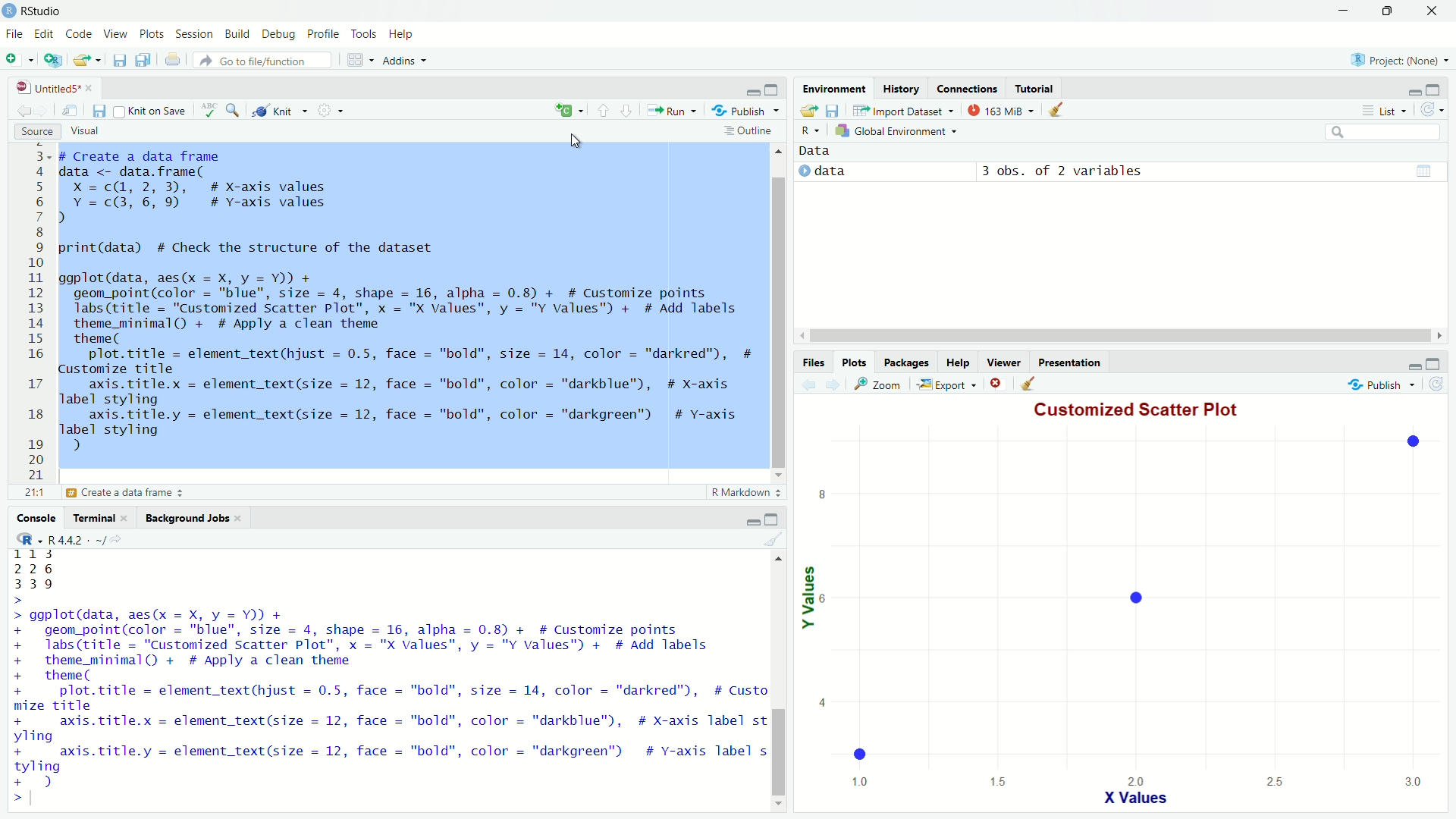  I want to click on Save, so click(99, 111).